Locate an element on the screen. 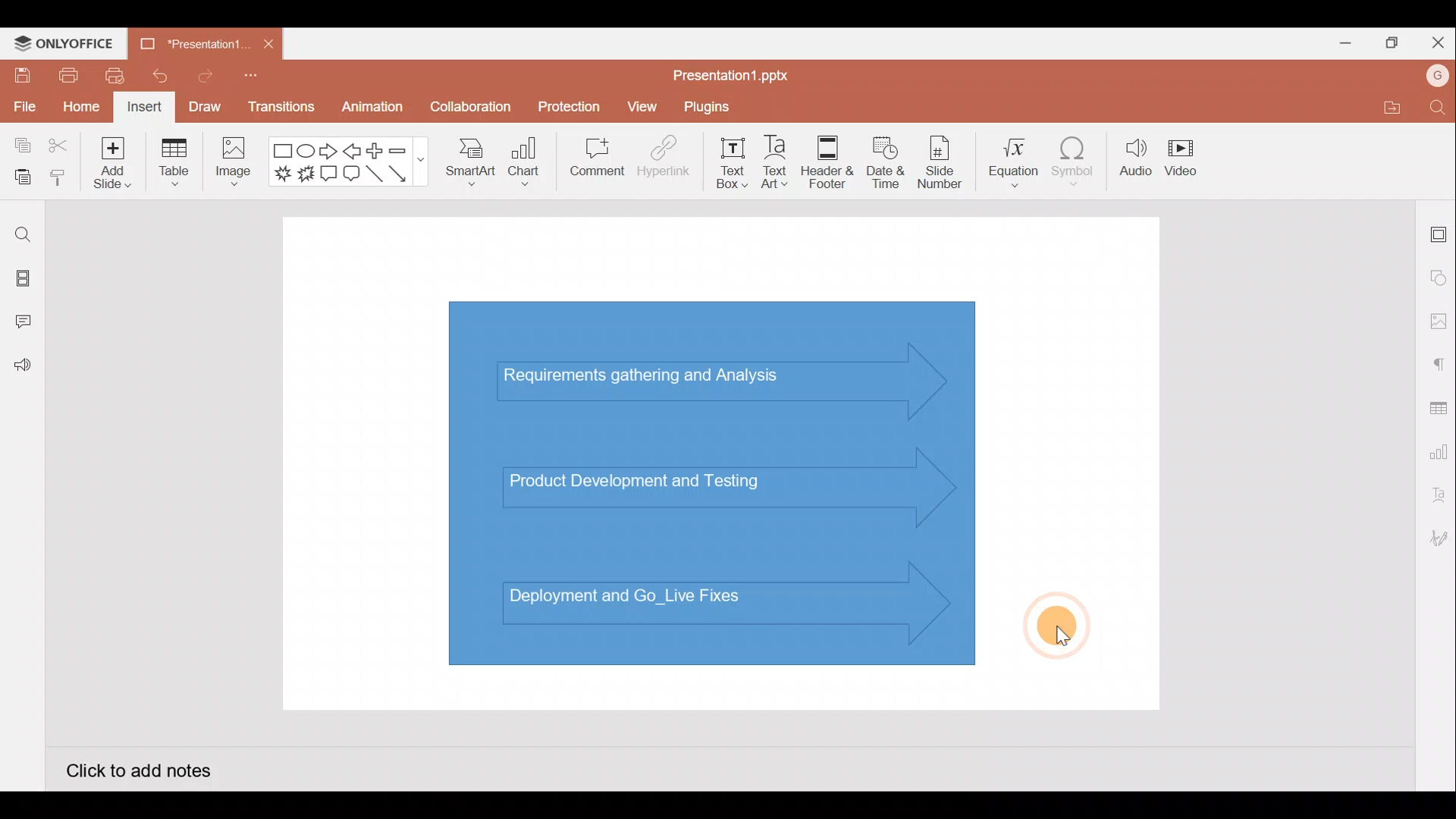 This screenshot has height=819, width=1456. Print file is located at coordinates (67, 74).